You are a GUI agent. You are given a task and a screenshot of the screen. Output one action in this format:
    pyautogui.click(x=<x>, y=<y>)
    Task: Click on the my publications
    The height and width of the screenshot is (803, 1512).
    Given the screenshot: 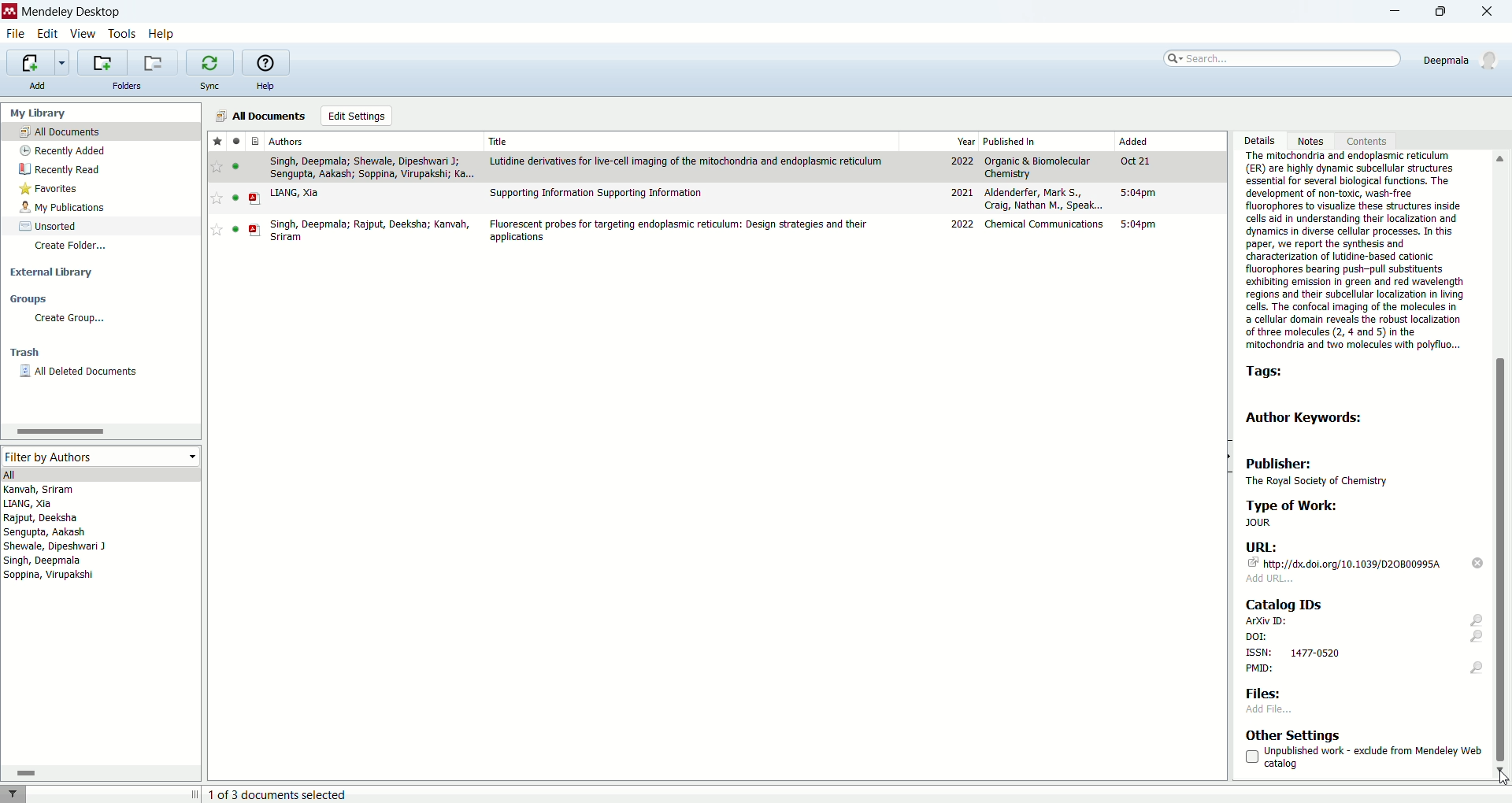 What is the action you would take?
    pyautogui.click(x=64, y=208)
    